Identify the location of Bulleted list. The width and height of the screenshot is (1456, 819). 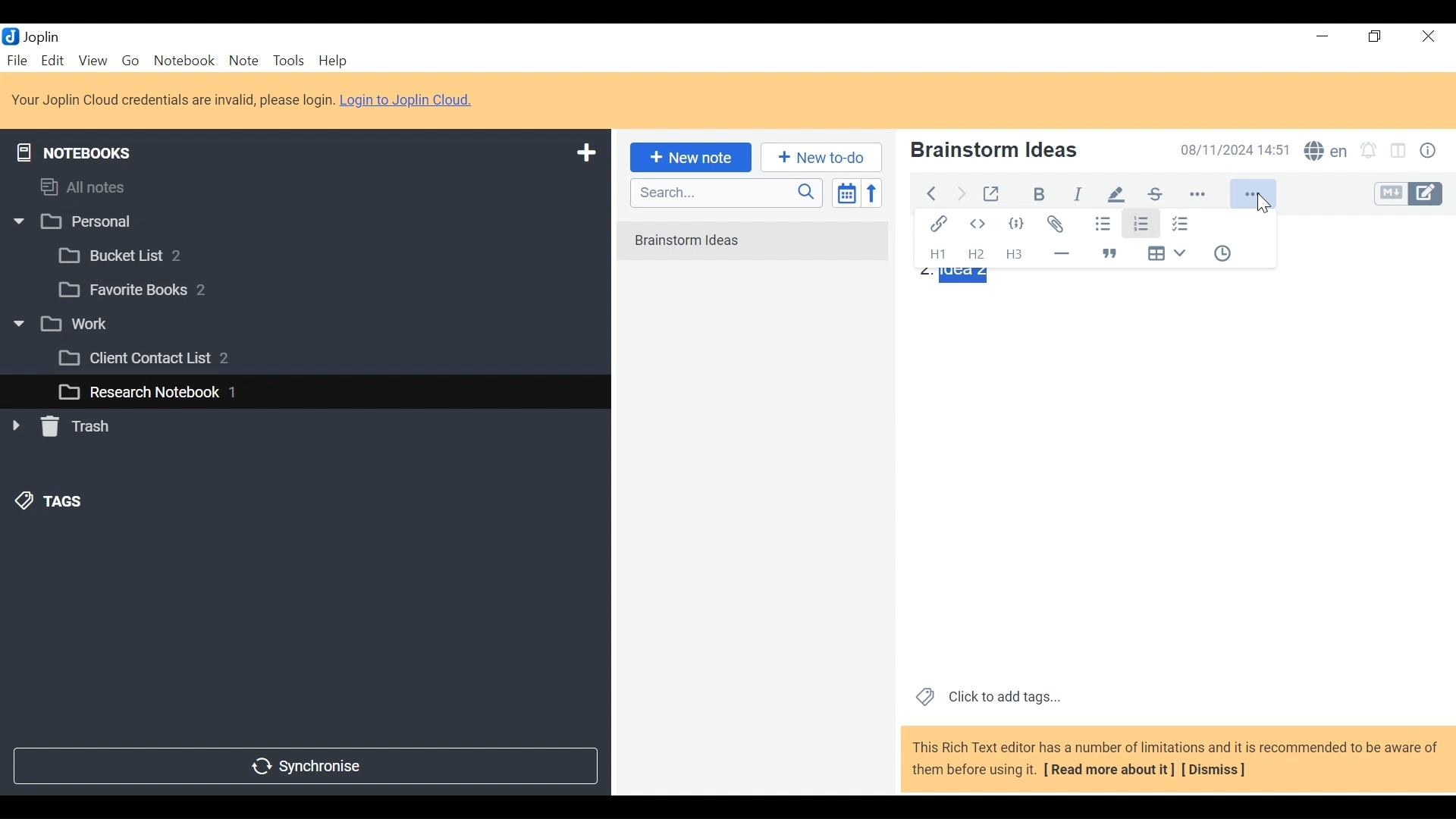
(1102, 224).